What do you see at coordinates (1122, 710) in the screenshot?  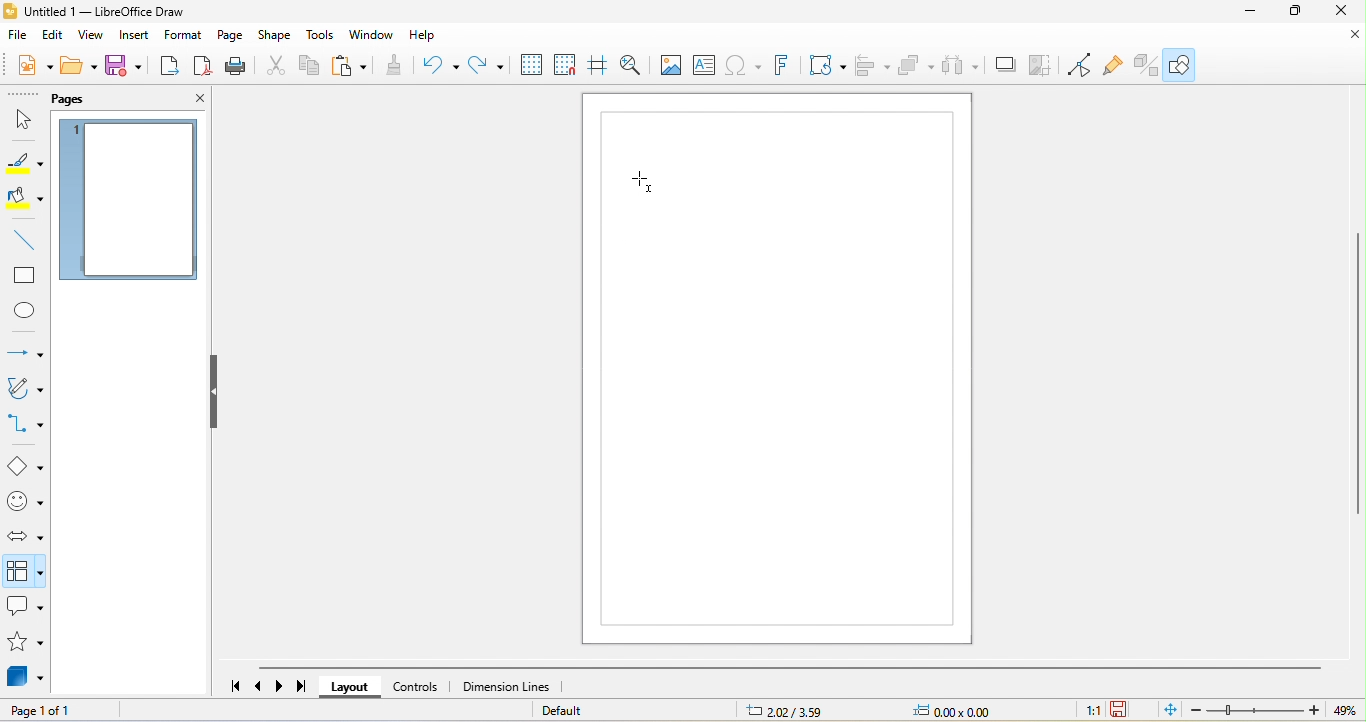 I see `the document has been modified.click to save the document` at bounding box center [1122, 710].